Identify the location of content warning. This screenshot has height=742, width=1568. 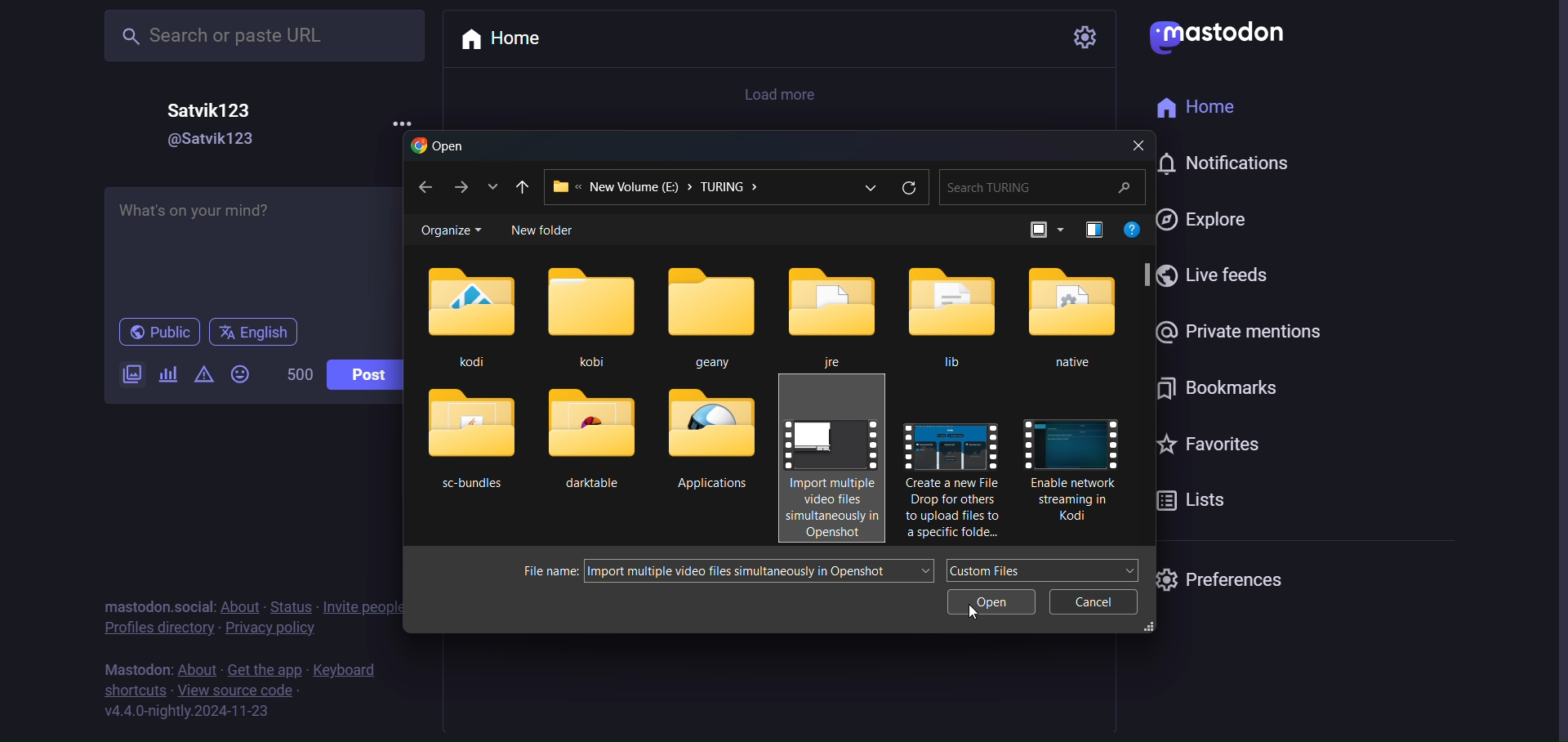
(203, 375).